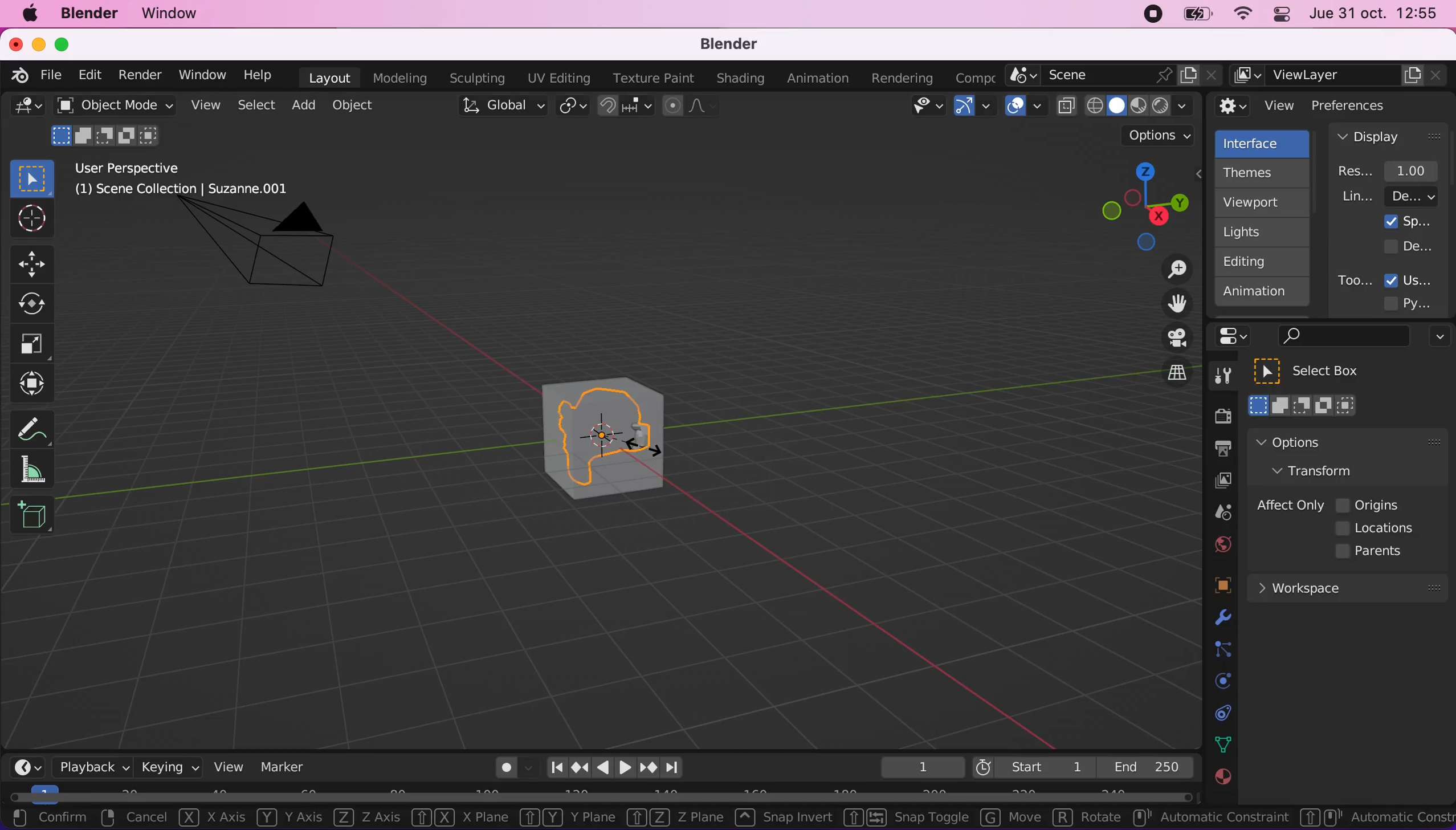 This screenshot has height=830, width=1456. I want to click on window, so click(201, 75).